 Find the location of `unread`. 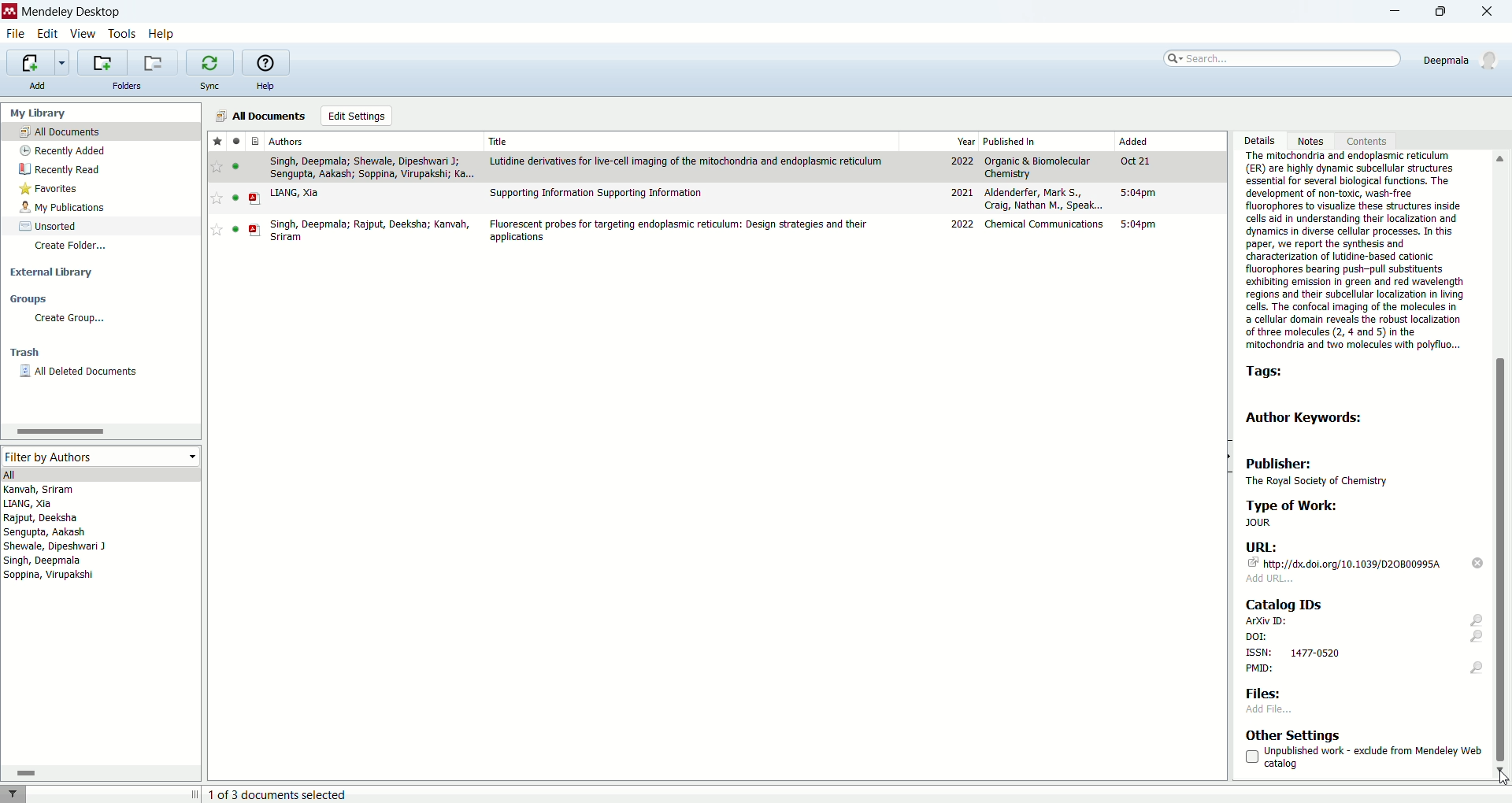

unread is located at coordinates (235, 229).